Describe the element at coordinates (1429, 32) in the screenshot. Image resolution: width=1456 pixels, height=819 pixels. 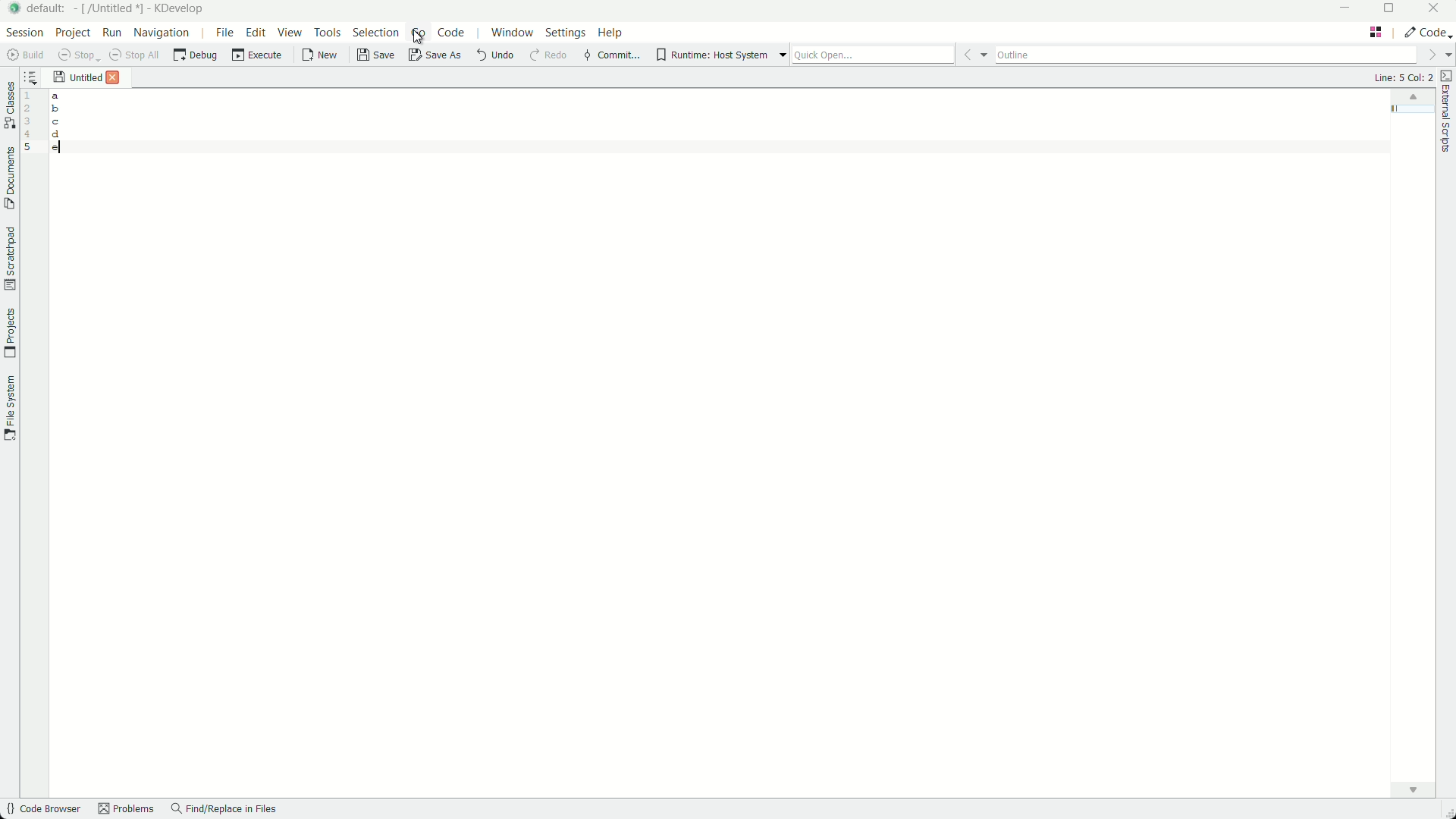
I see `execute actions to change the area` at that location.